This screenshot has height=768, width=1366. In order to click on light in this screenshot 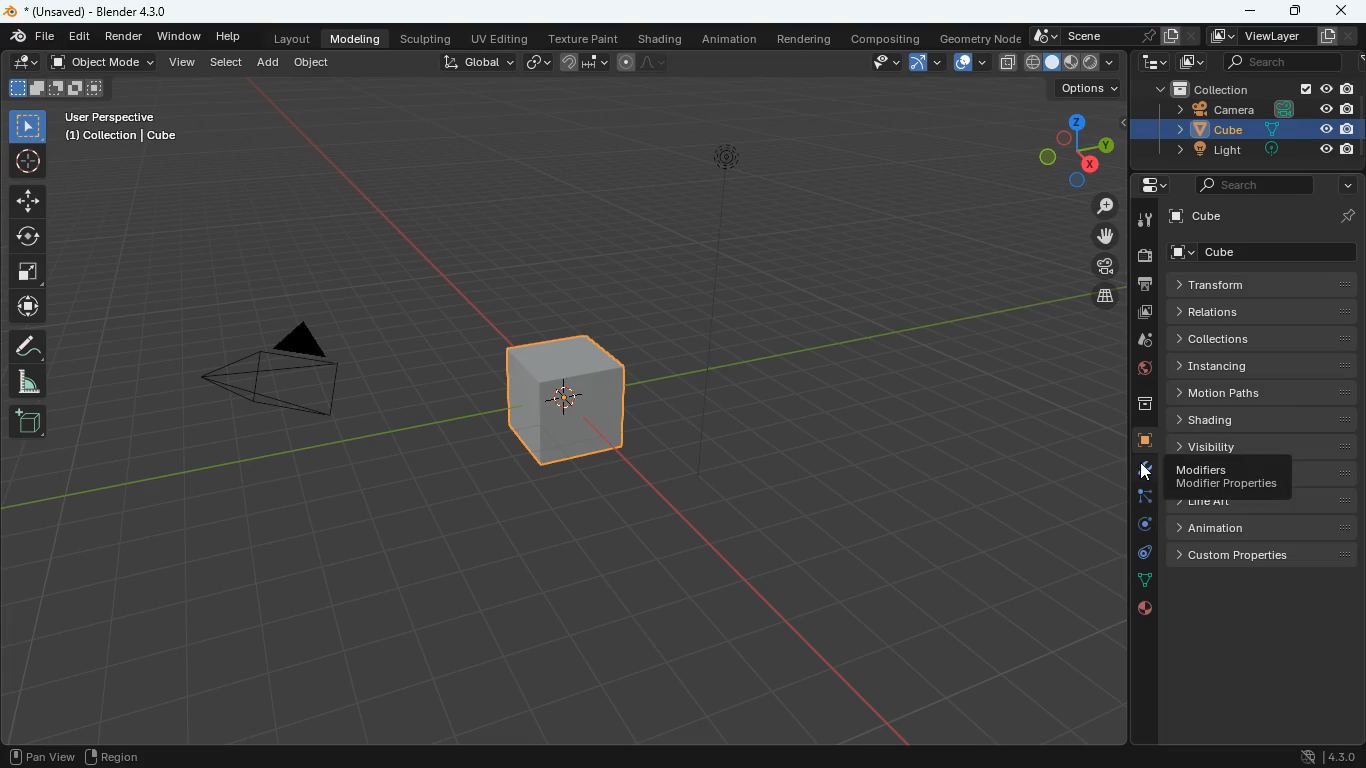, I will do `click(714, 305)`.